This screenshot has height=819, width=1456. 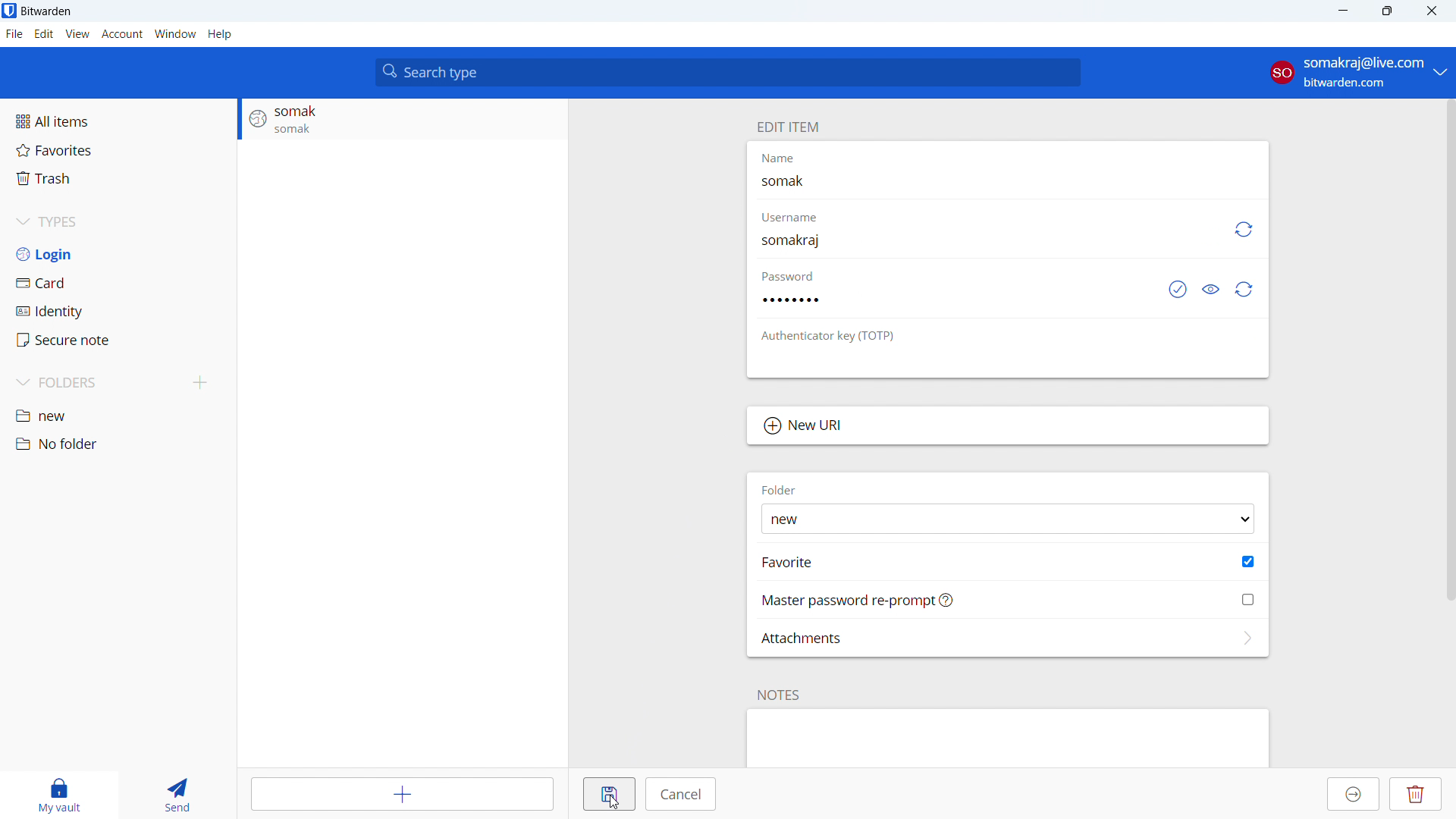 I want to click on maximize, so click(x=1386, y=11).